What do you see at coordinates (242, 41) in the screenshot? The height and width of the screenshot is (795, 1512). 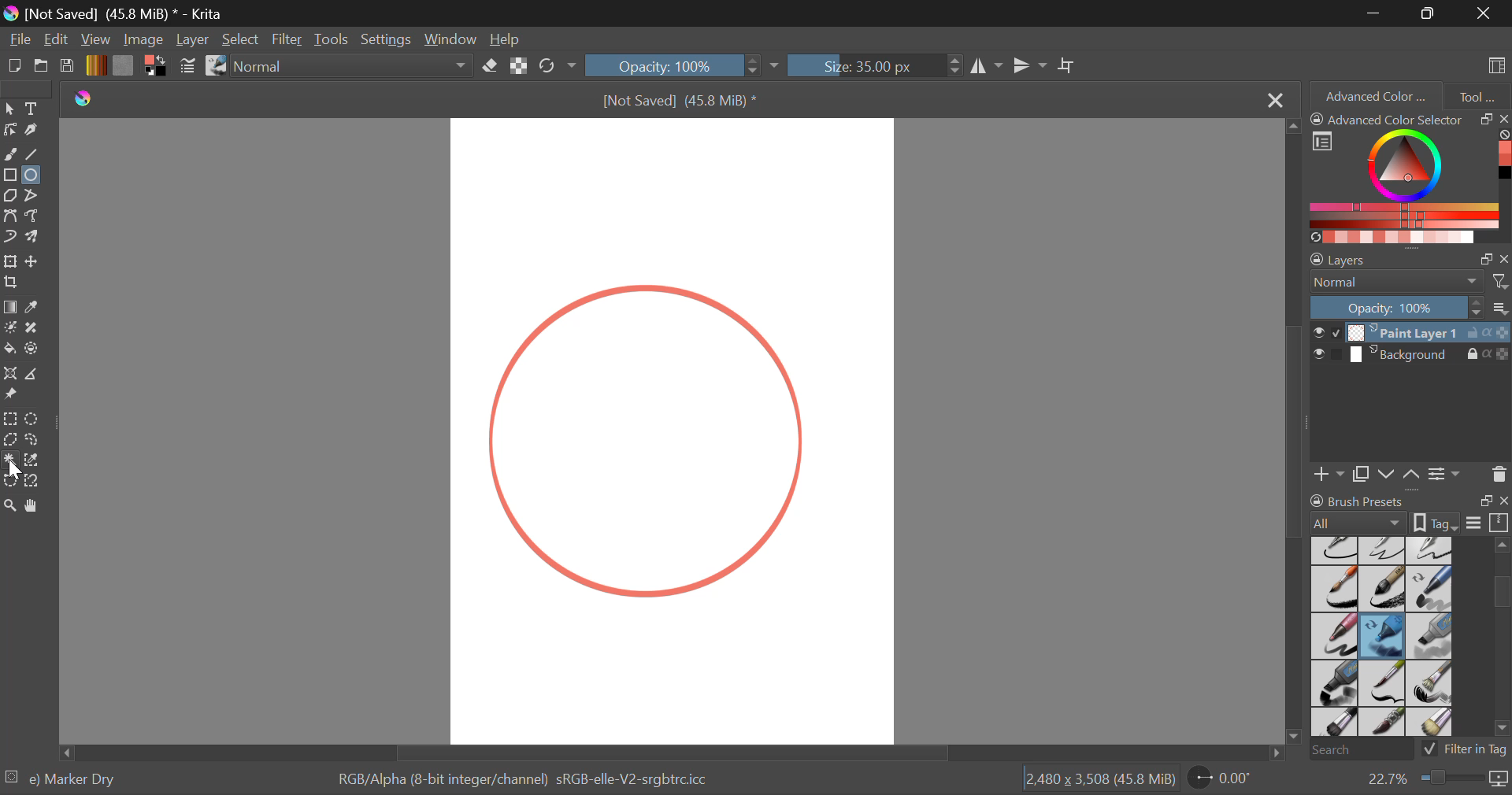 I see `Select` at bounding box center [242, 41].